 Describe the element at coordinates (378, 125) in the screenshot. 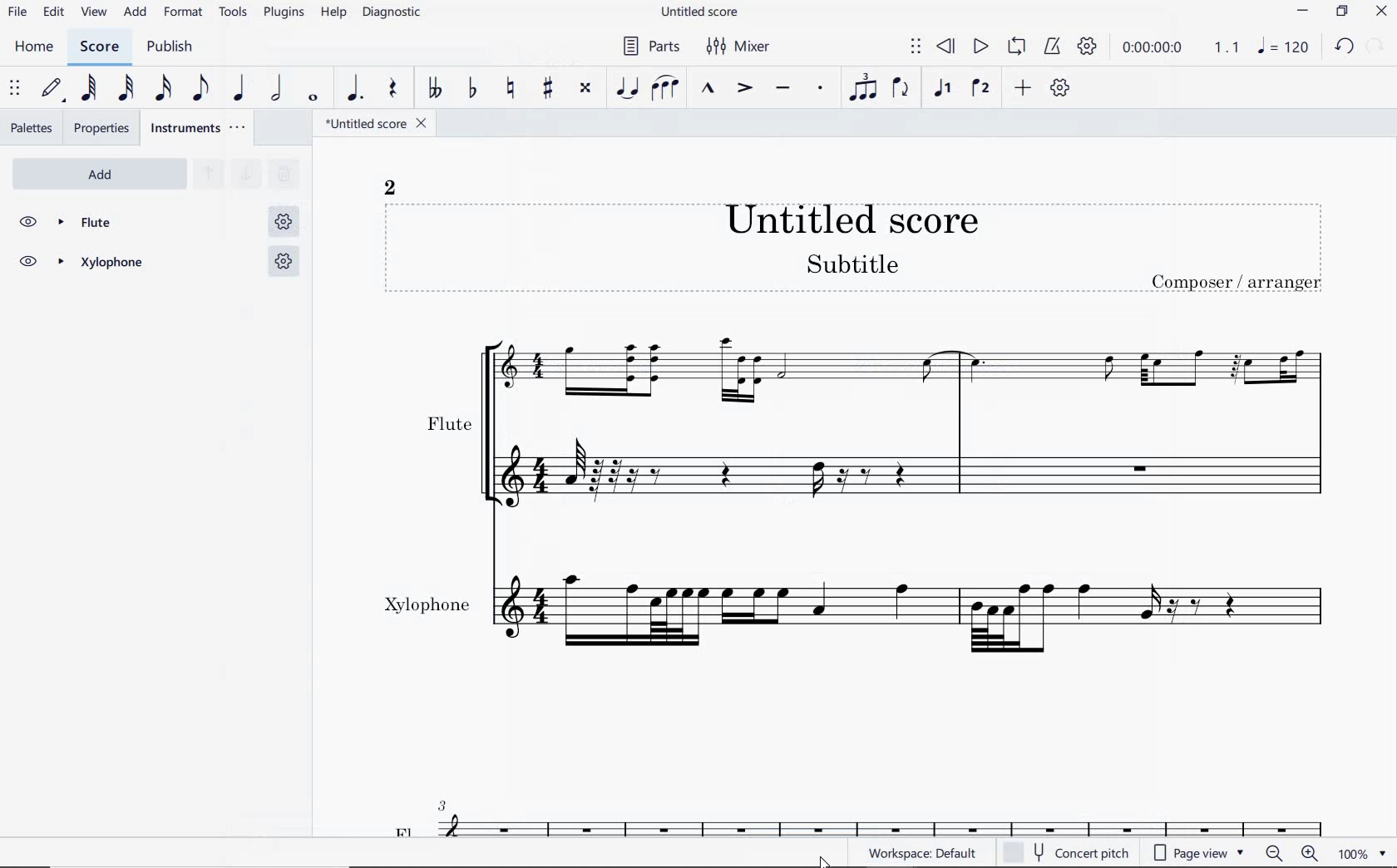

I see `FILE NAME` at that location.